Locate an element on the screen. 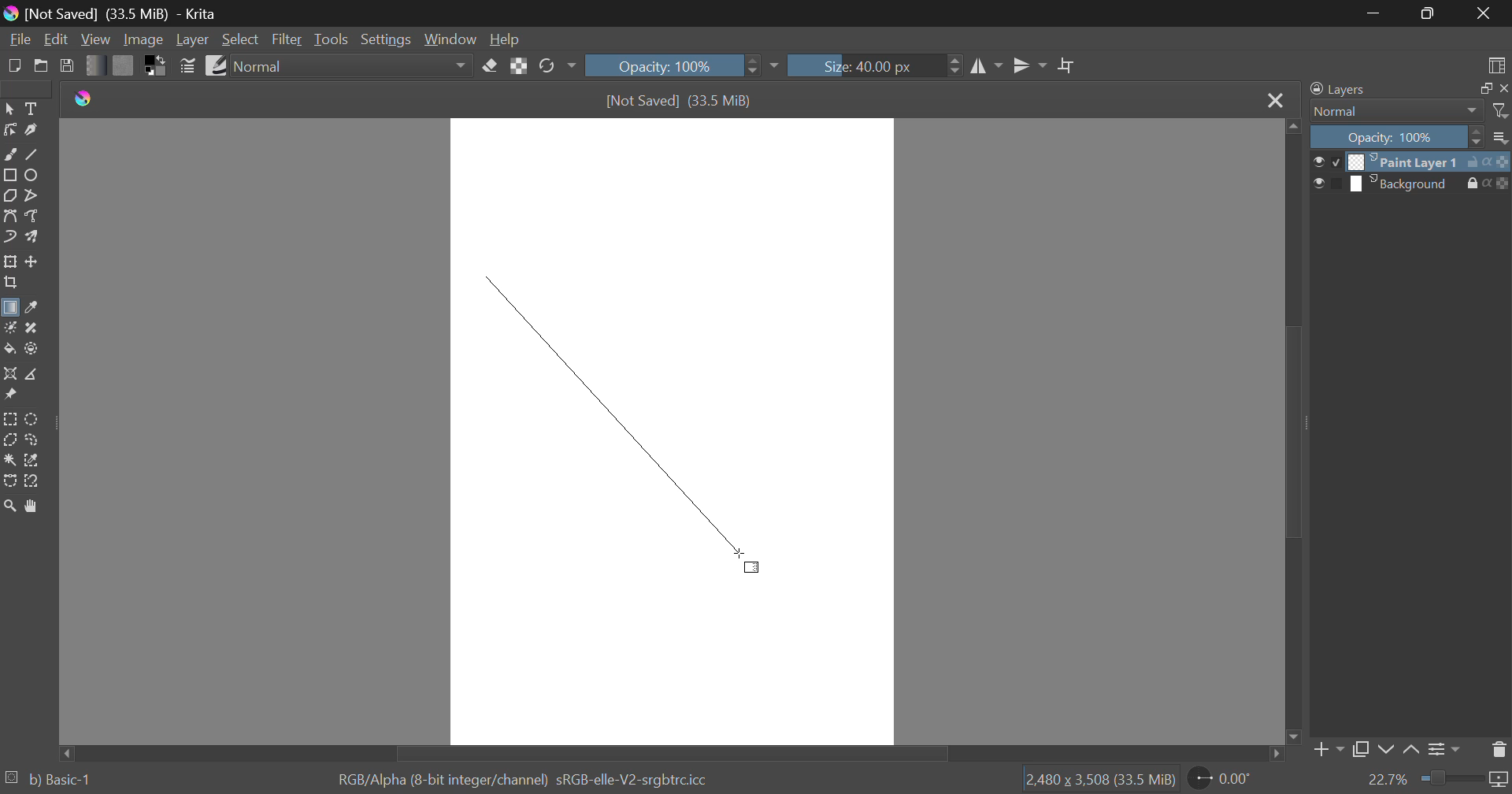 The height and width of the screenshot is (794, 1512). [Not Saved] (33.5 MiB) is located at coordinates (680, 101).